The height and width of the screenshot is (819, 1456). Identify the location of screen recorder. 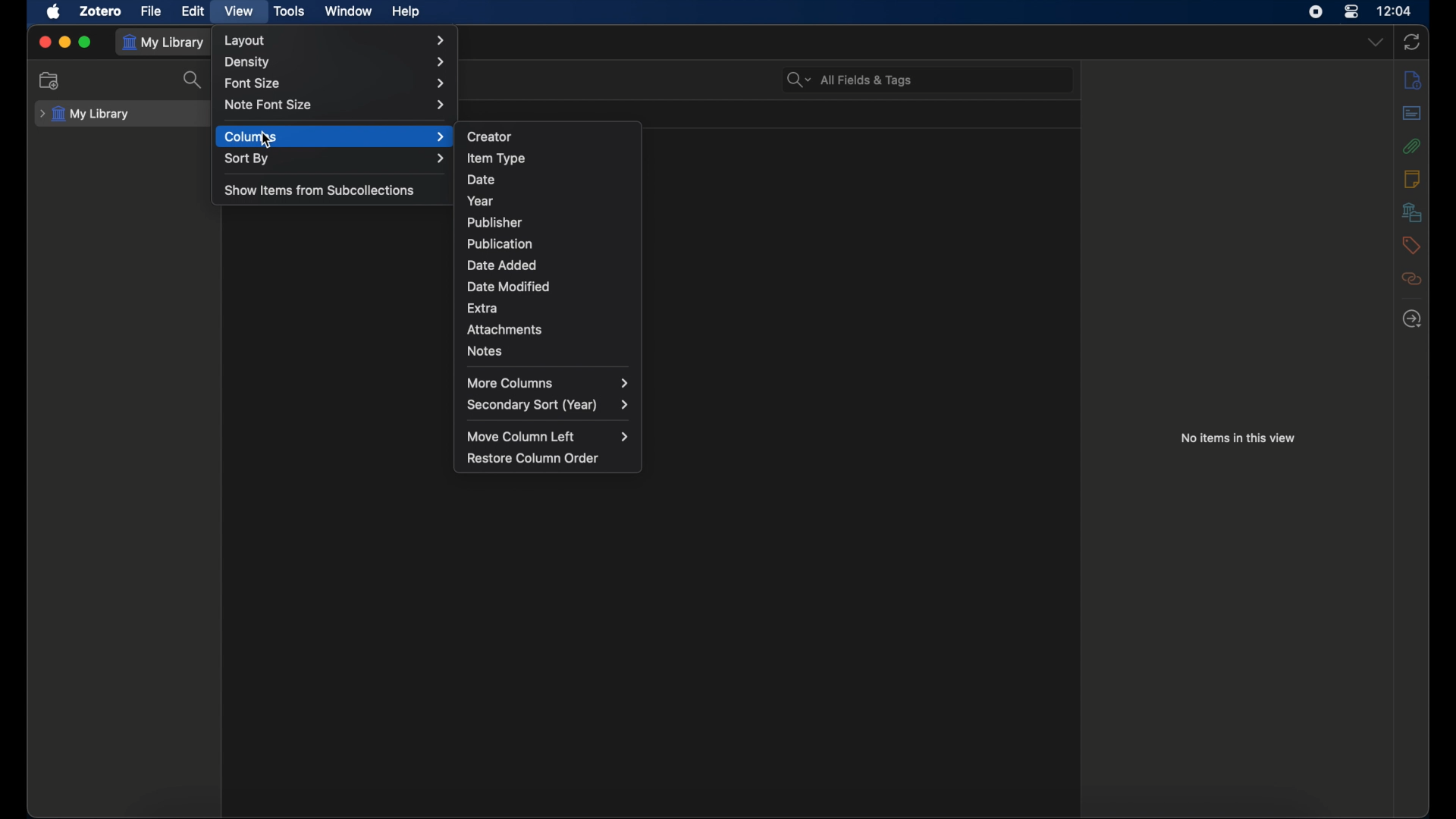
(1316, 12).